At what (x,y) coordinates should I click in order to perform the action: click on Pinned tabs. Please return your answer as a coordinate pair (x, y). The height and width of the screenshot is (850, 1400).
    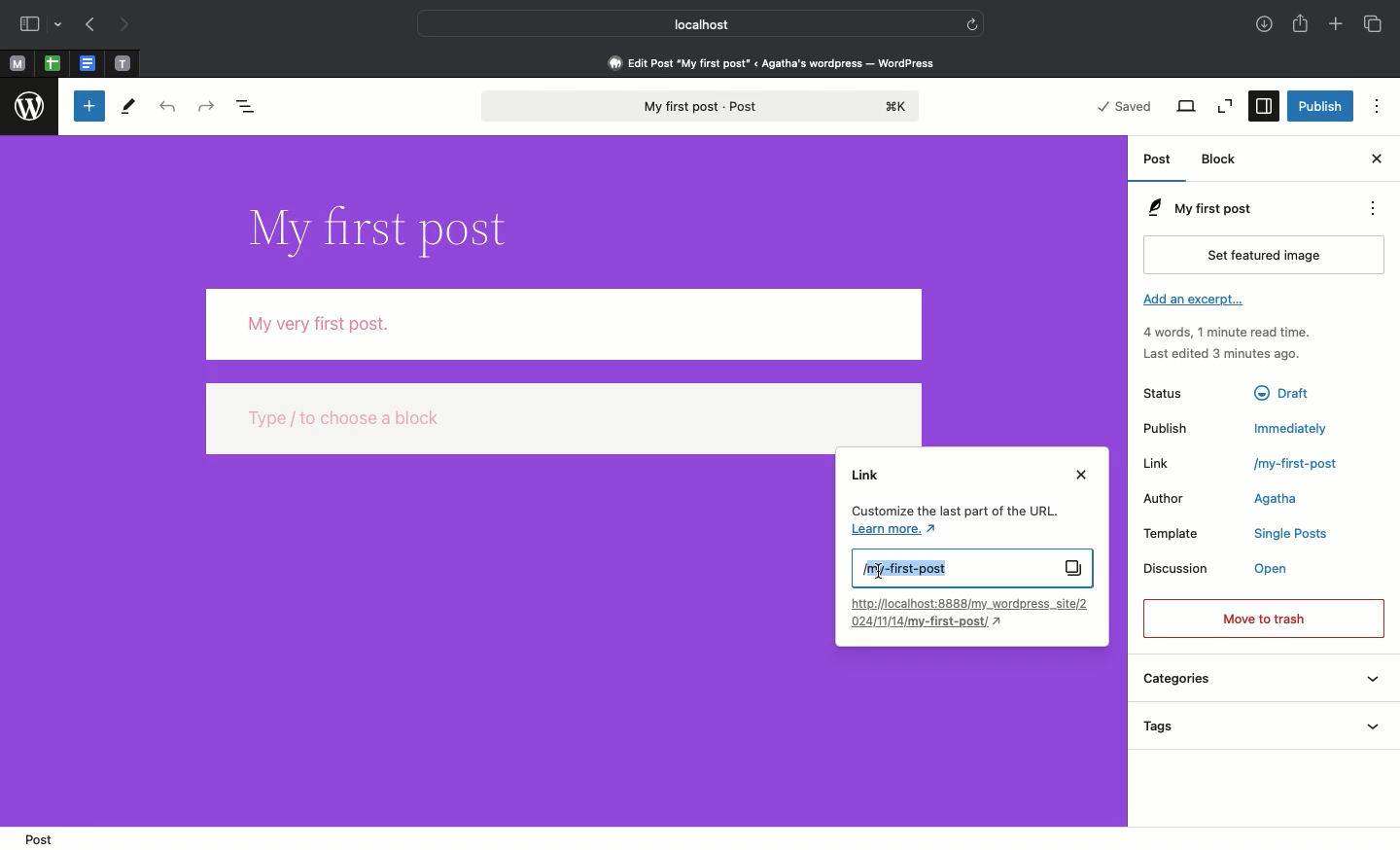
    Looking at the image, I should click on (18, 63).